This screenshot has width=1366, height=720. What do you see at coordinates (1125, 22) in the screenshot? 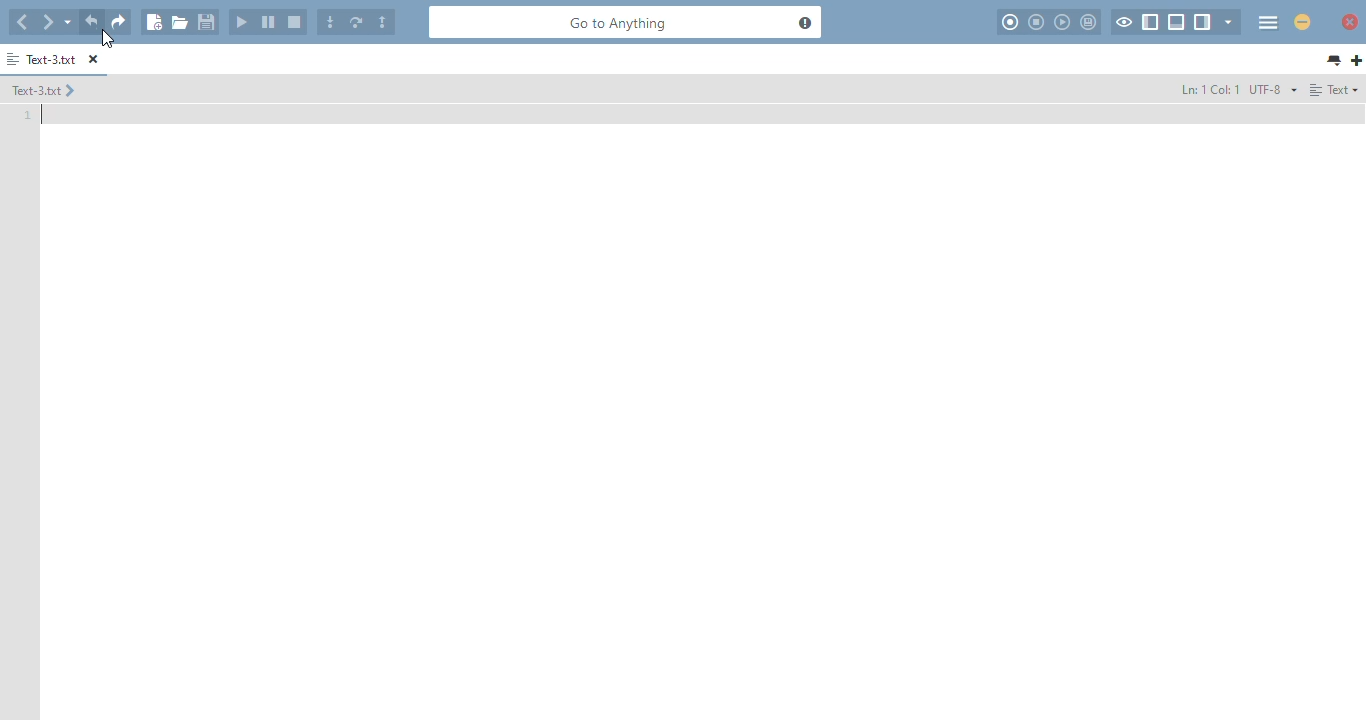
I see `toggle focus mode` at bounding box center [1125, 22].